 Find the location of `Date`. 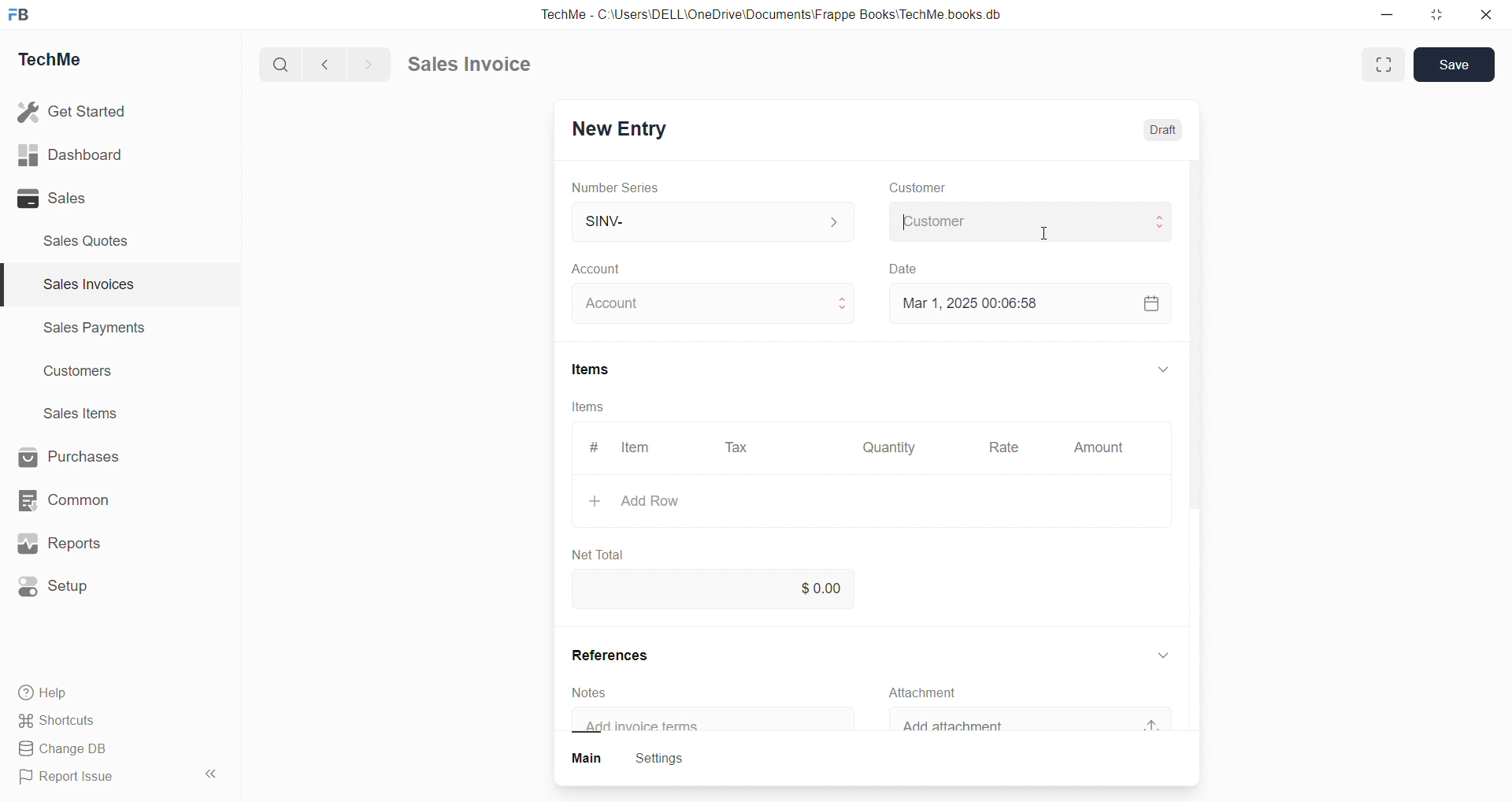

Date is located at coordinates (916, 267).